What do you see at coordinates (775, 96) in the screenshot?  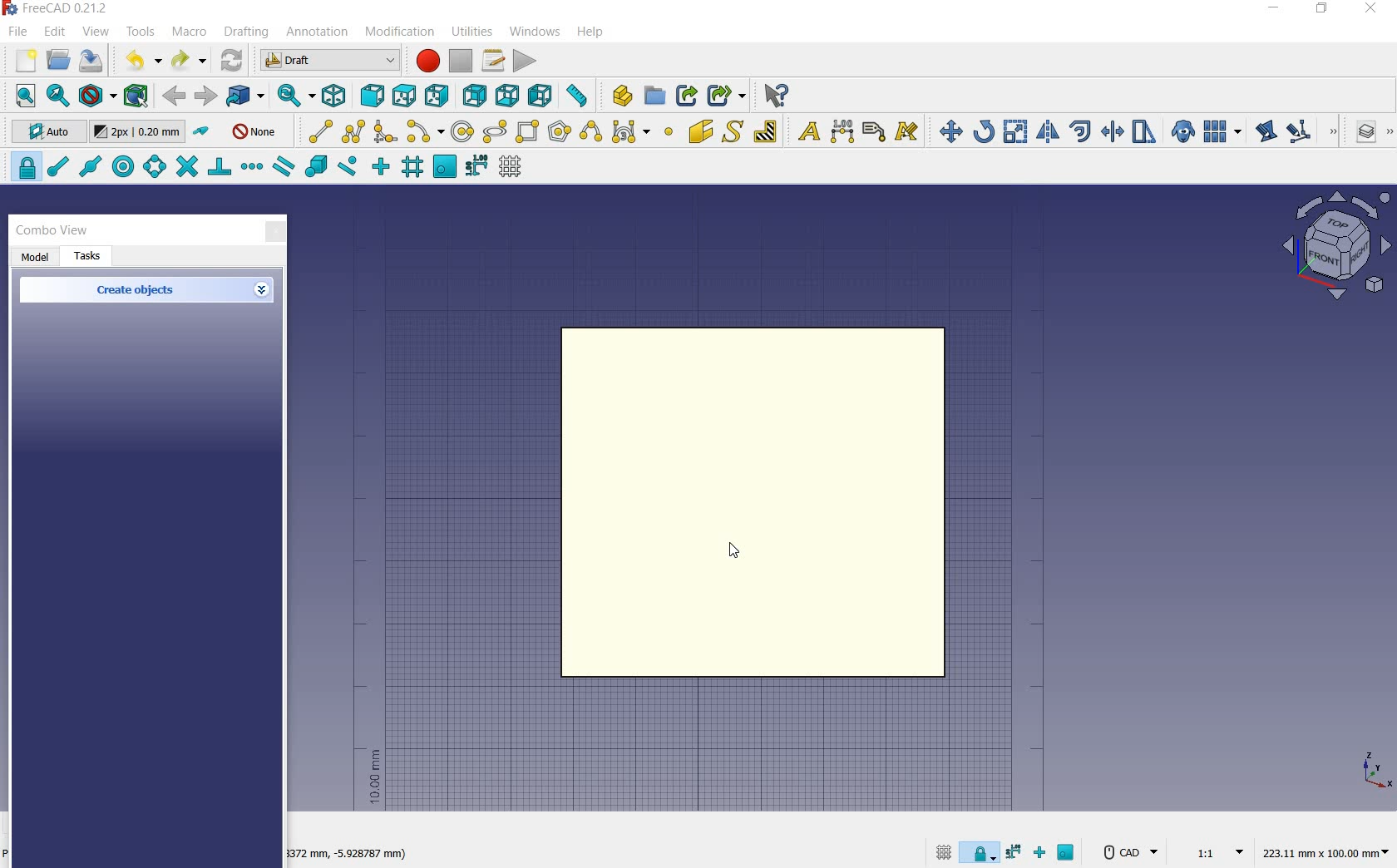 I see `what's this?` at bounding box center [775, 96].